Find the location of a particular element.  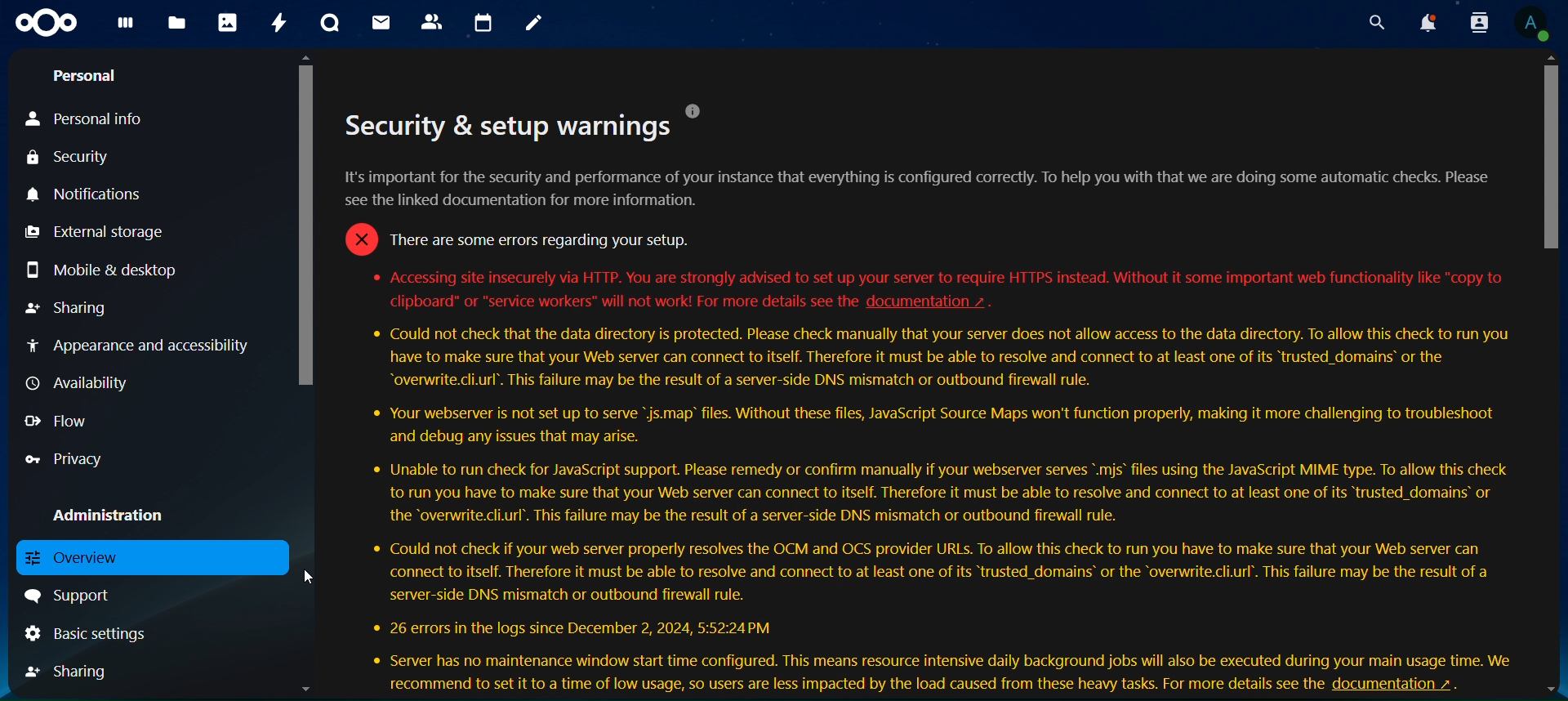

calendar is located at coordinates (484, 21).